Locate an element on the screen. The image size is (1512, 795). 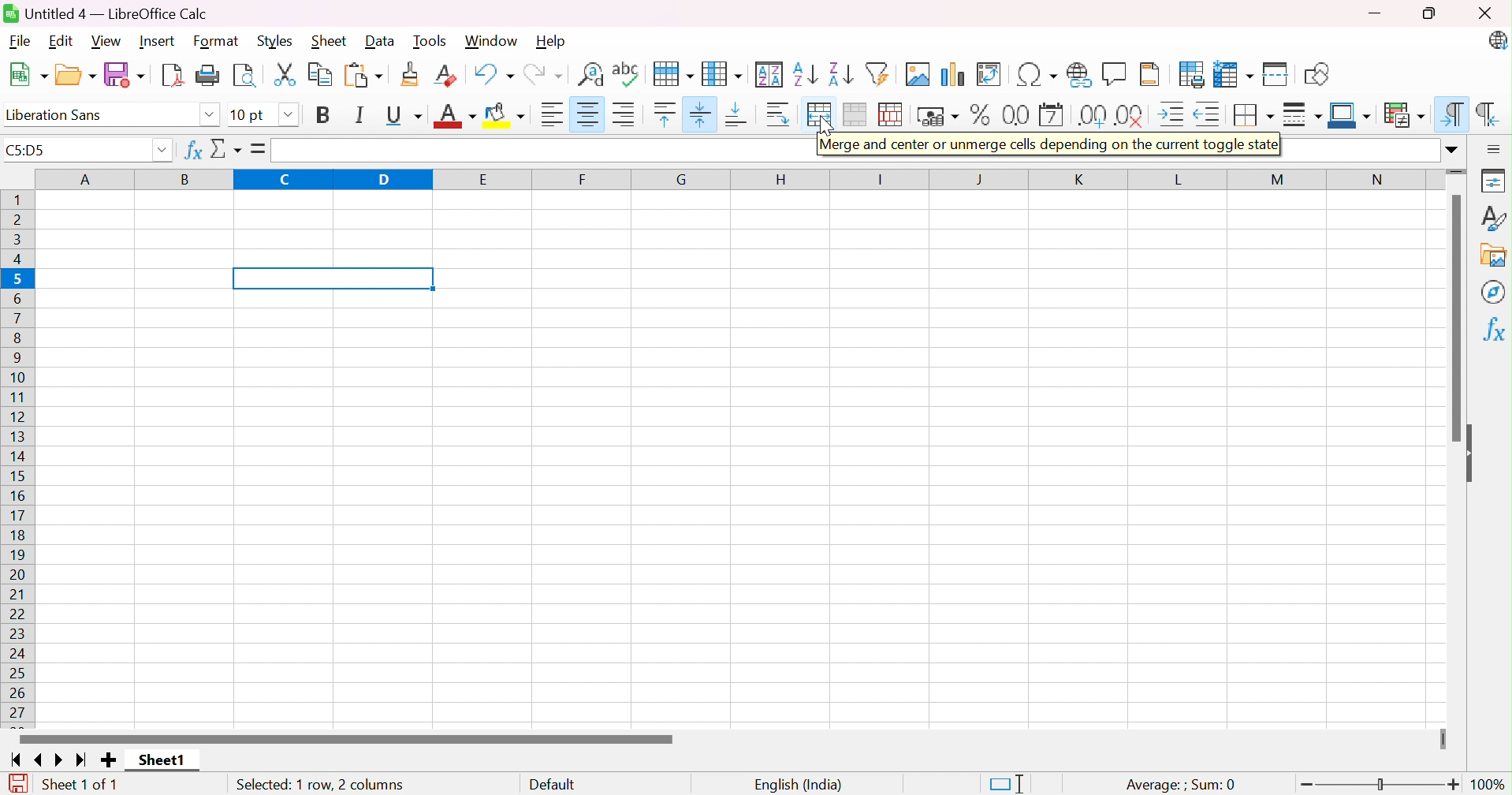
Decrease Indent is located at coordinates (1212, 113).